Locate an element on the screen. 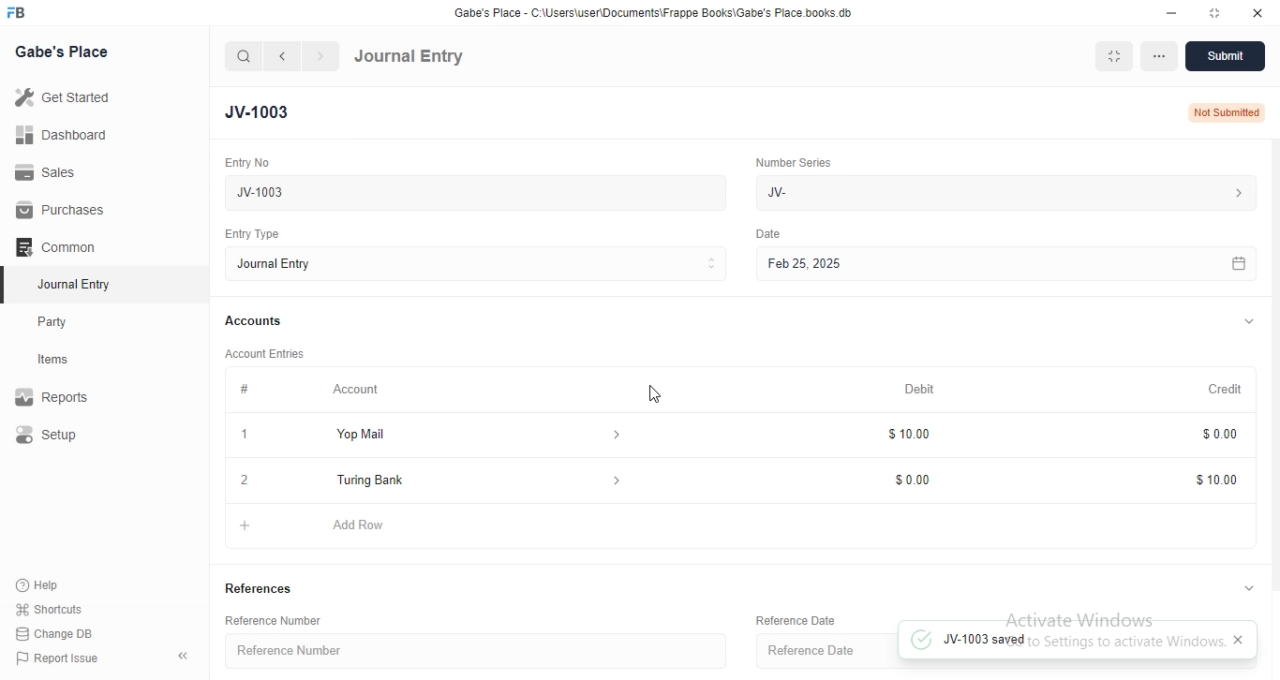 The width and height of the screenshot is (1280, 680).  is located at coordinates (768, 234).